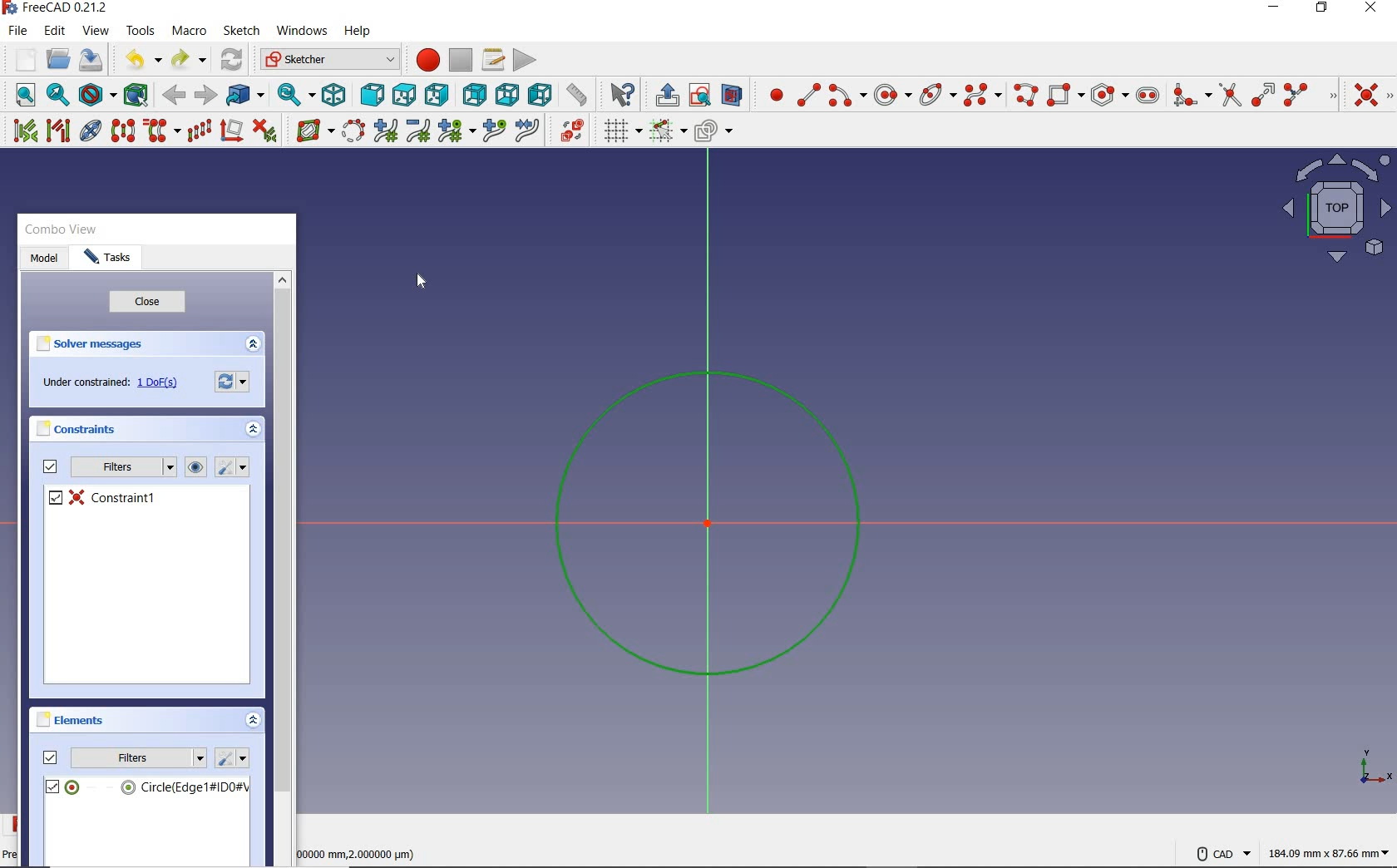 The width and height of the screenshot is (1397, 868). What do you see at coordinates (236, 468) in the screenshot?
I see `settings` at bounding box center [236, 468].